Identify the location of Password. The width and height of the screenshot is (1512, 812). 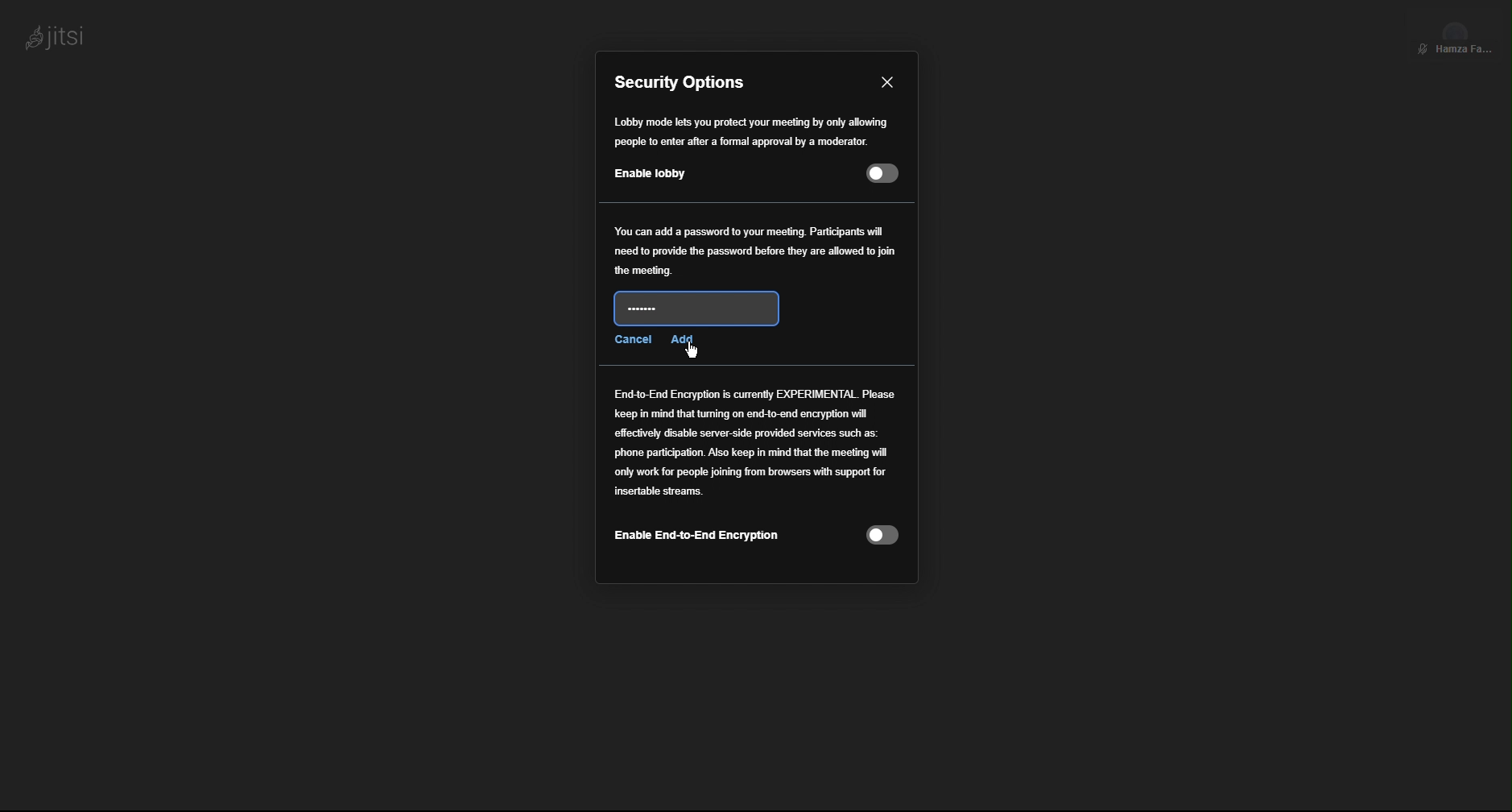
(756, 250).